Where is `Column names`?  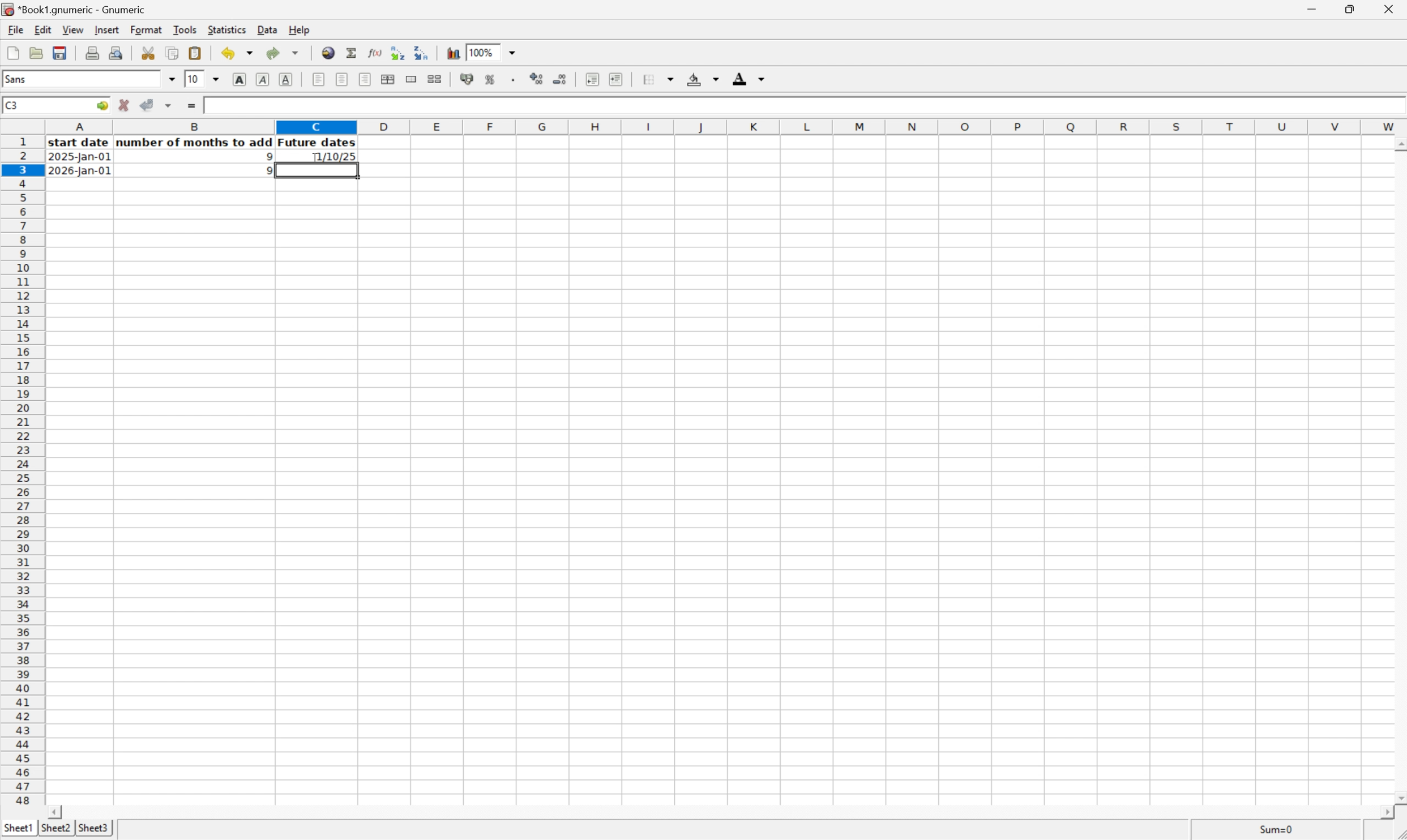
Column names is located at coordinates (726, 127).